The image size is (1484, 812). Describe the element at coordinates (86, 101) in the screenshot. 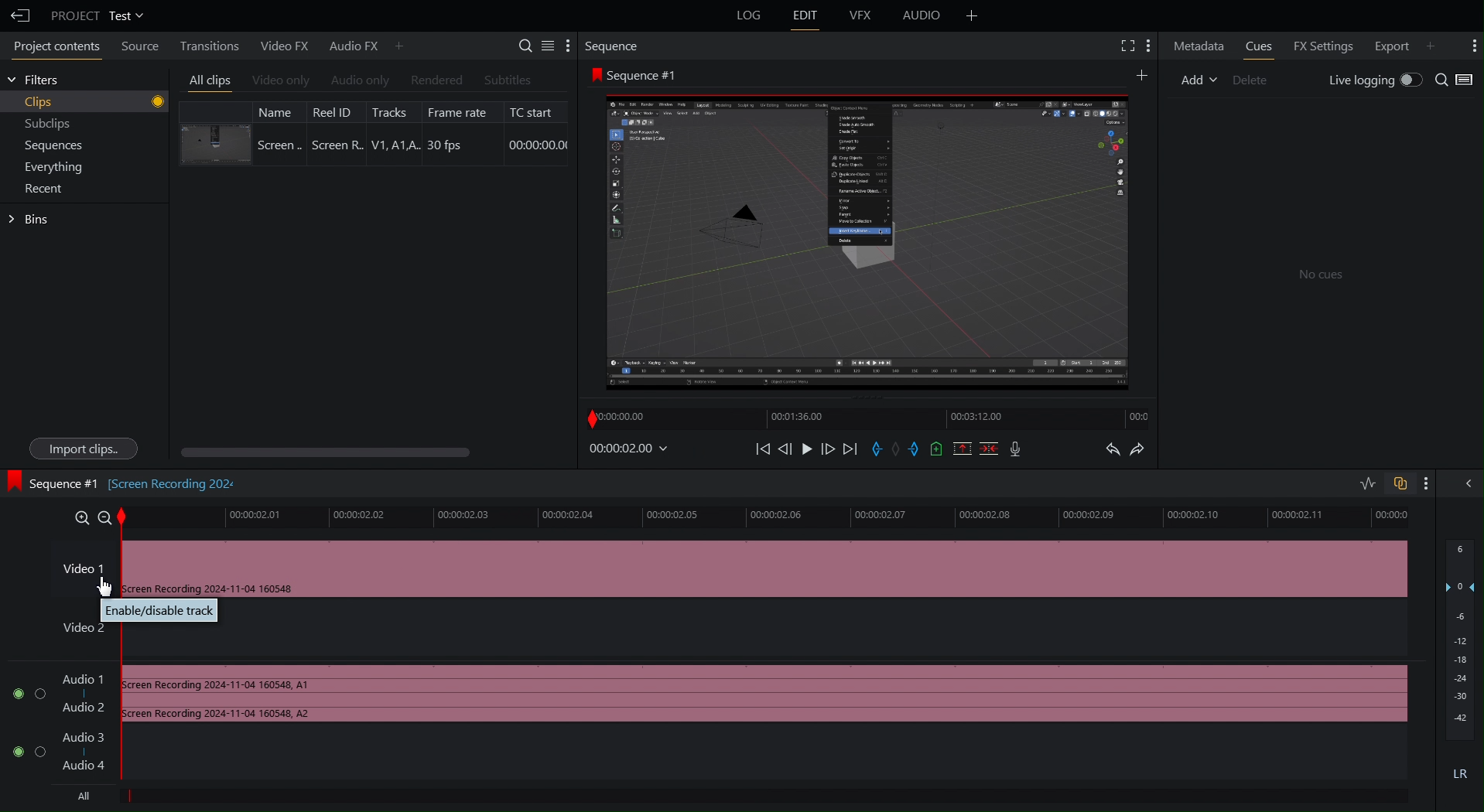

I see `Clips` at that location.